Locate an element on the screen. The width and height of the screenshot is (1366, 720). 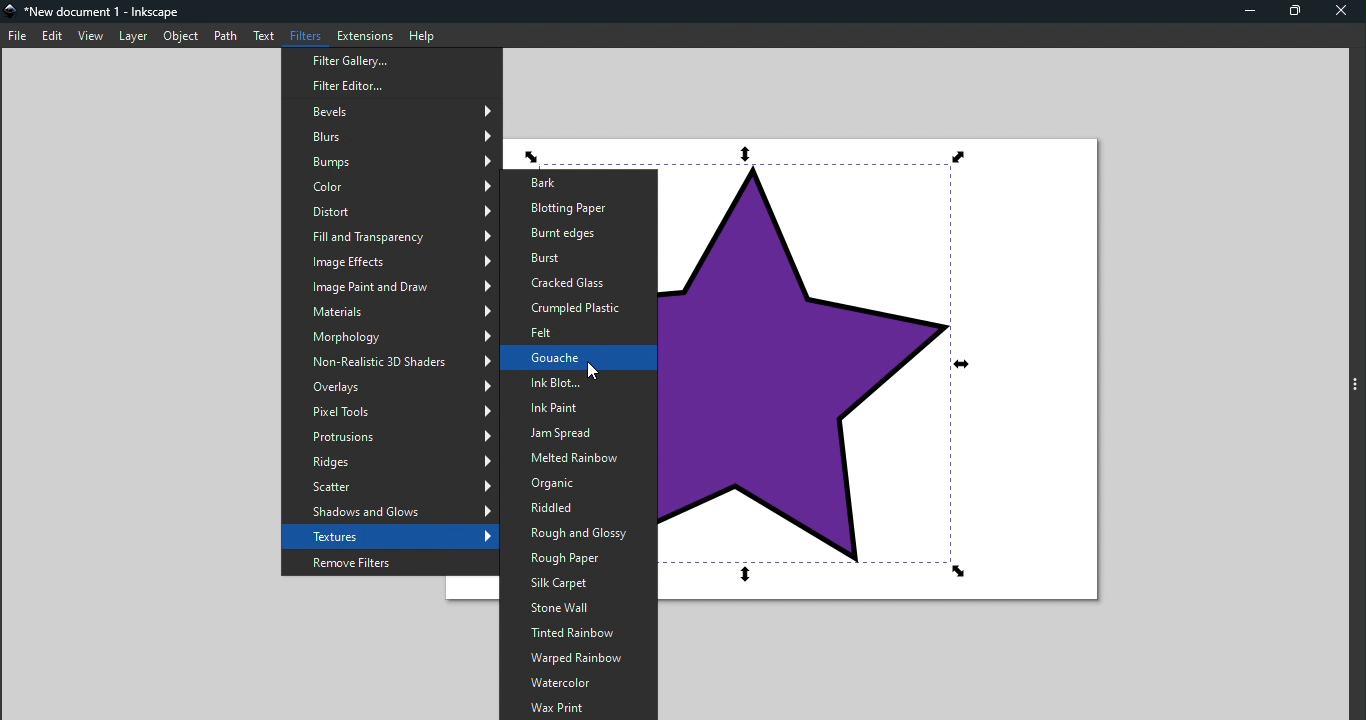
Organic is located at coordinates (575, 483).